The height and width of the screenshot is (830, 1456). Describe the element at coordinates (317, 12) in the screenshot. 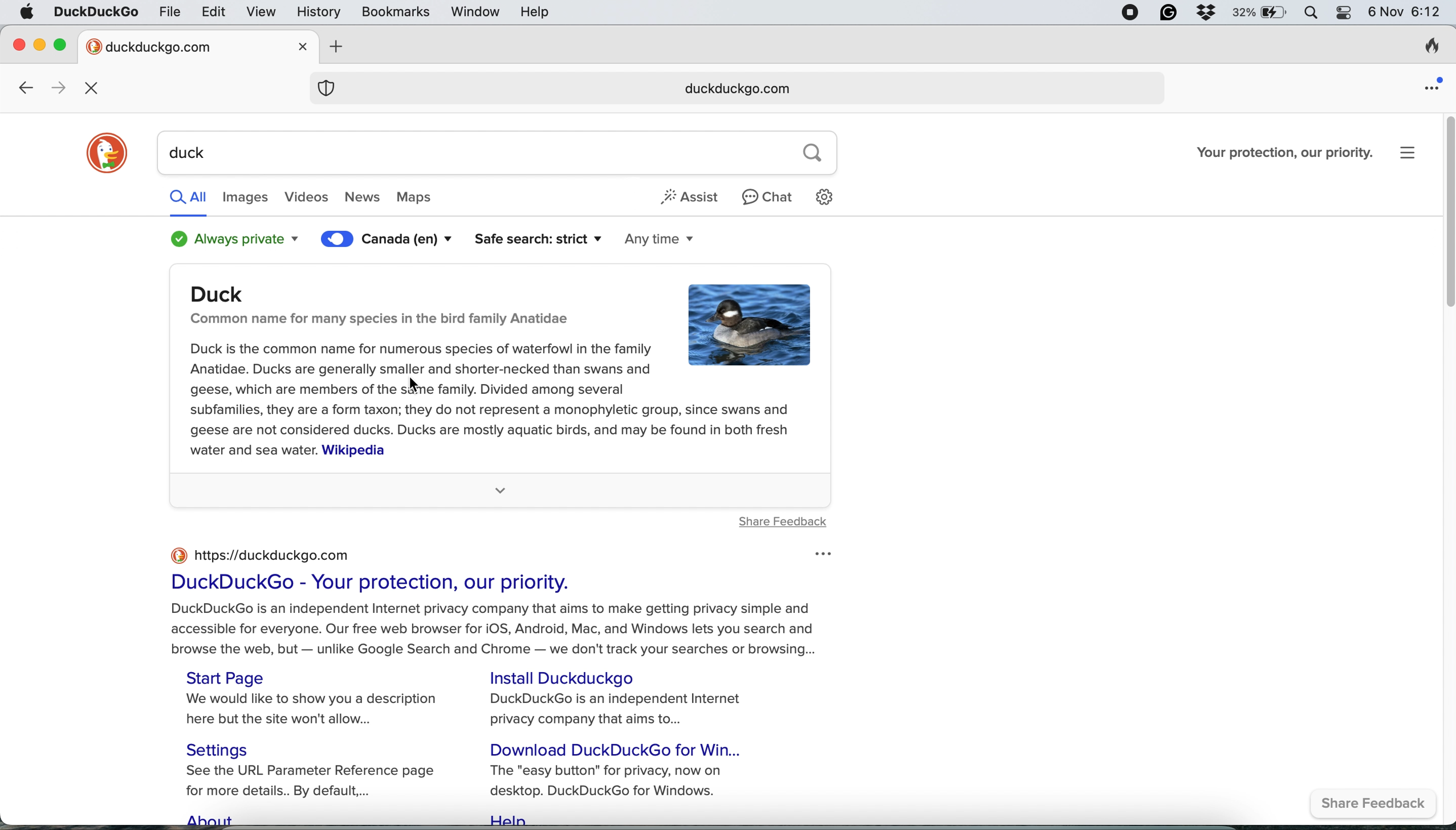

I see `history` at that location.